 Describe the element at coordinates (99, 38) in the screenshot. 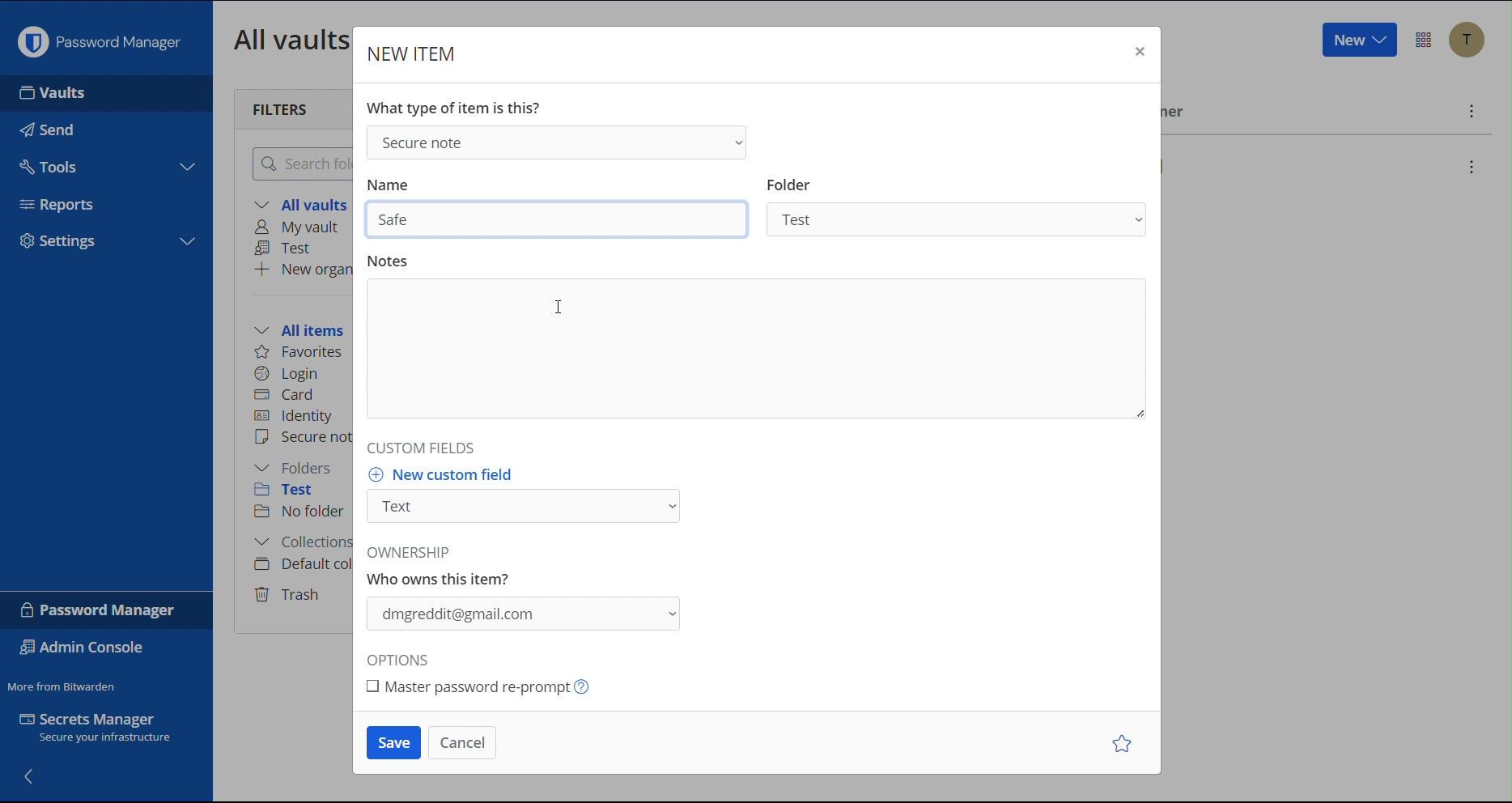

I see `Password Manager` at that location.